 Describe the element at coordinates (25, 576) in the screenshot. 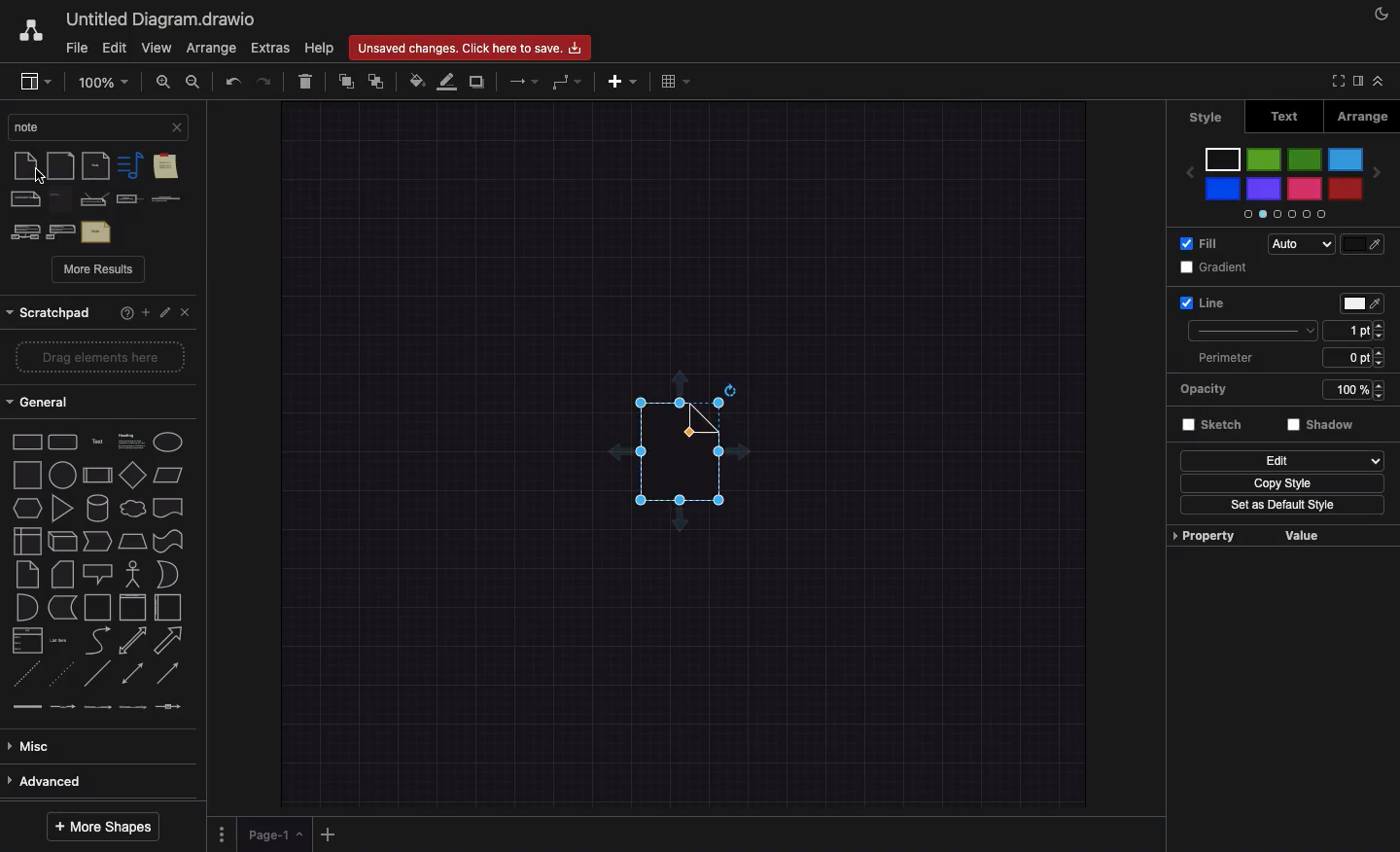

I see `note` at that location.